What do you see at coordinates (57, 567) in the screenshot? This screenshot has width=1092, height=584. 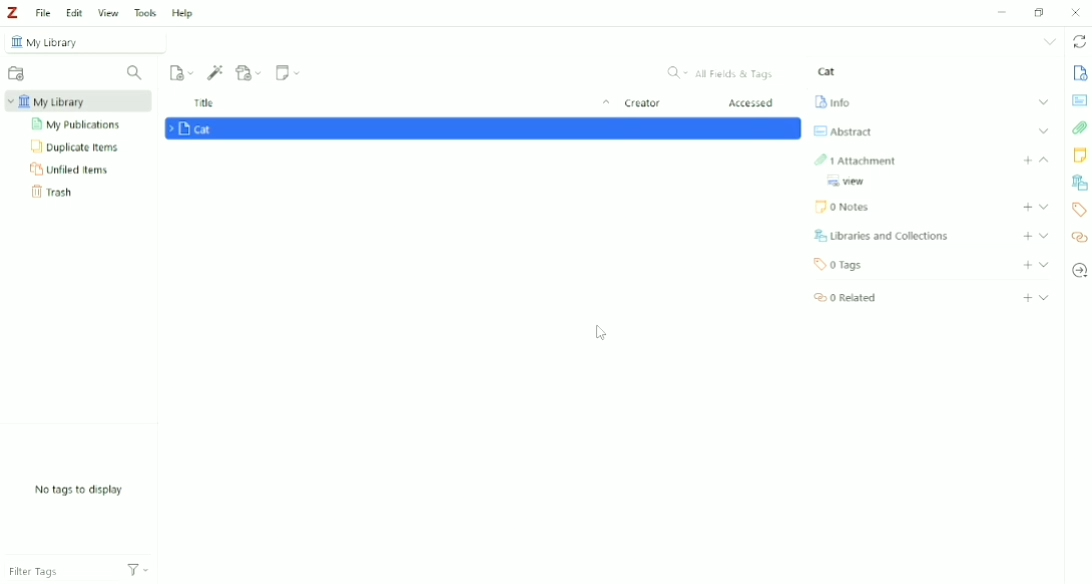 I see `Filter Tags` at bounding box center [57, 567].